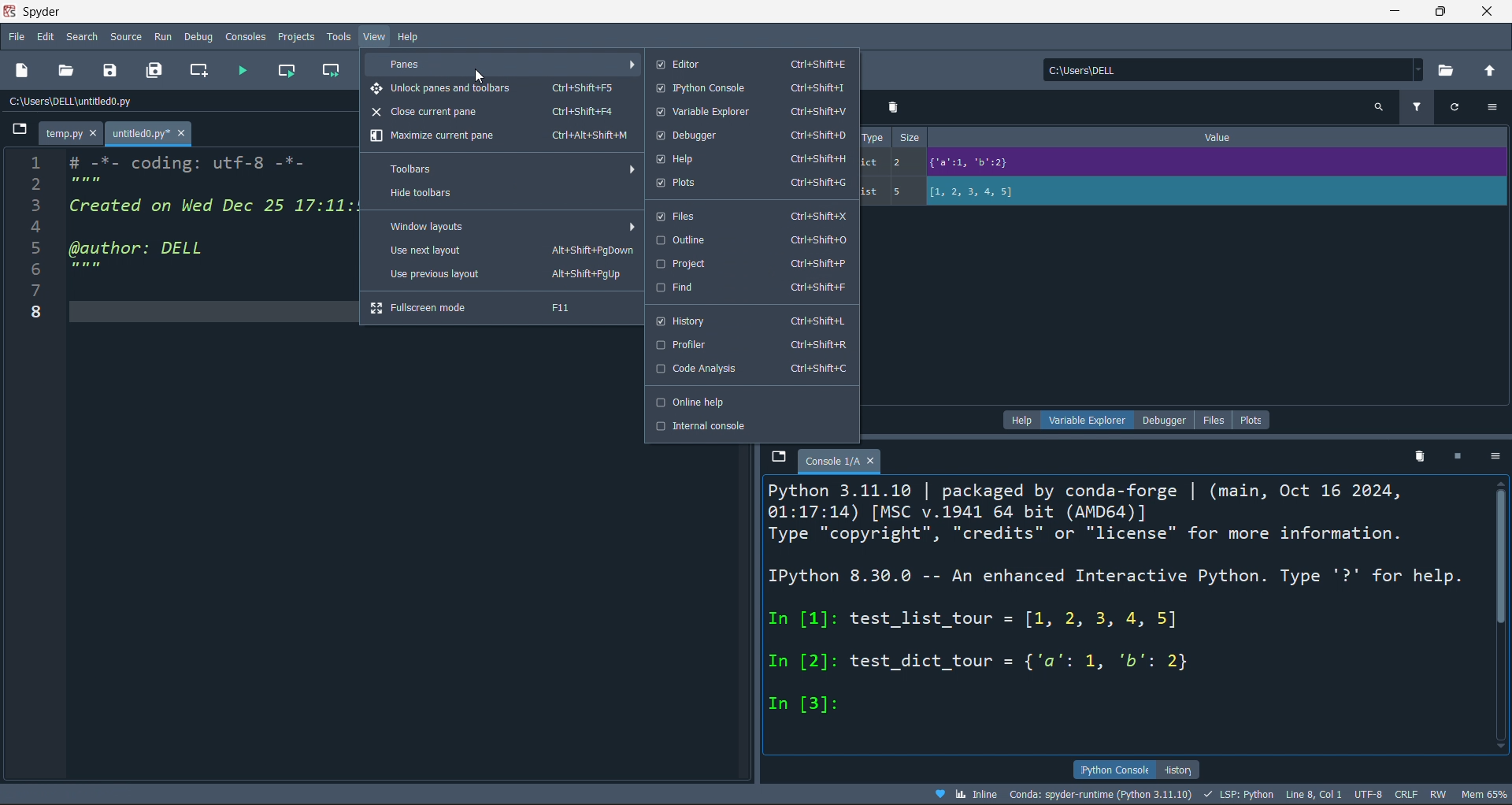 This screenshot has height=805, width=1512. I want to click on list, so click(873, 191).